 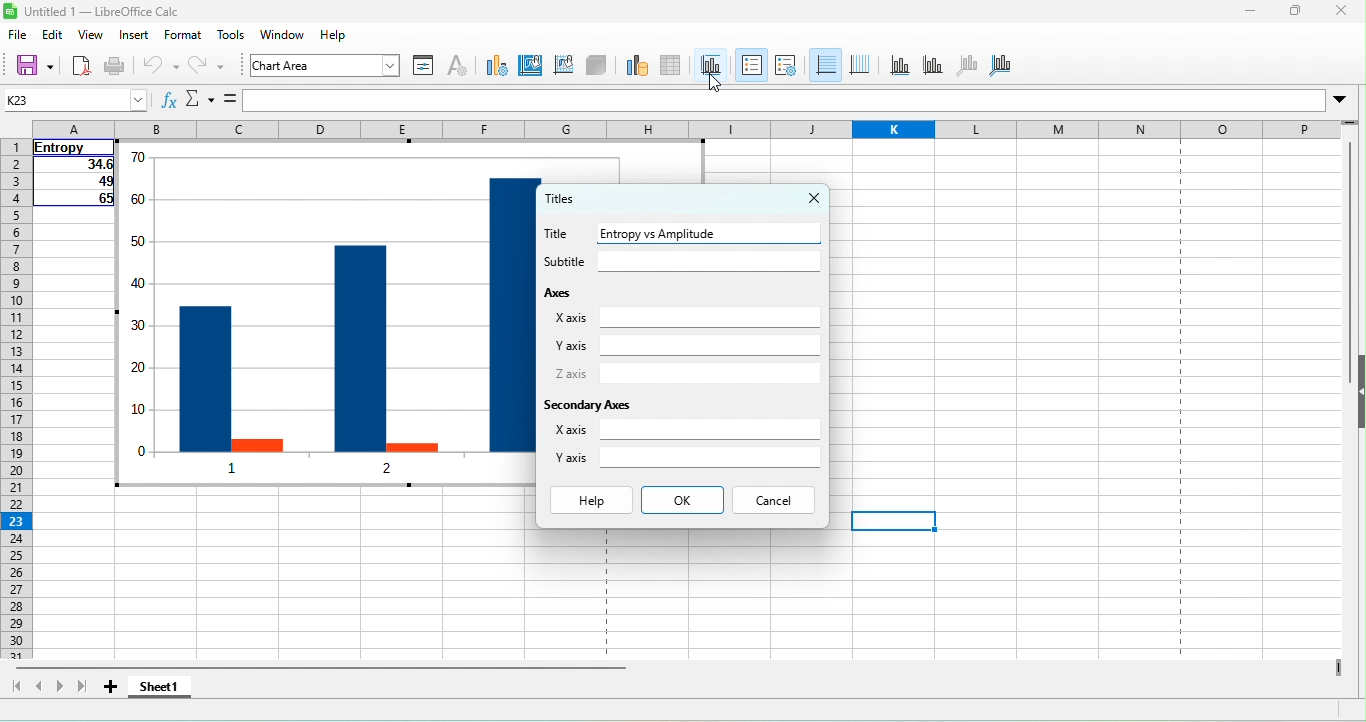 I want to click on 2, so click(x=381, y=472).